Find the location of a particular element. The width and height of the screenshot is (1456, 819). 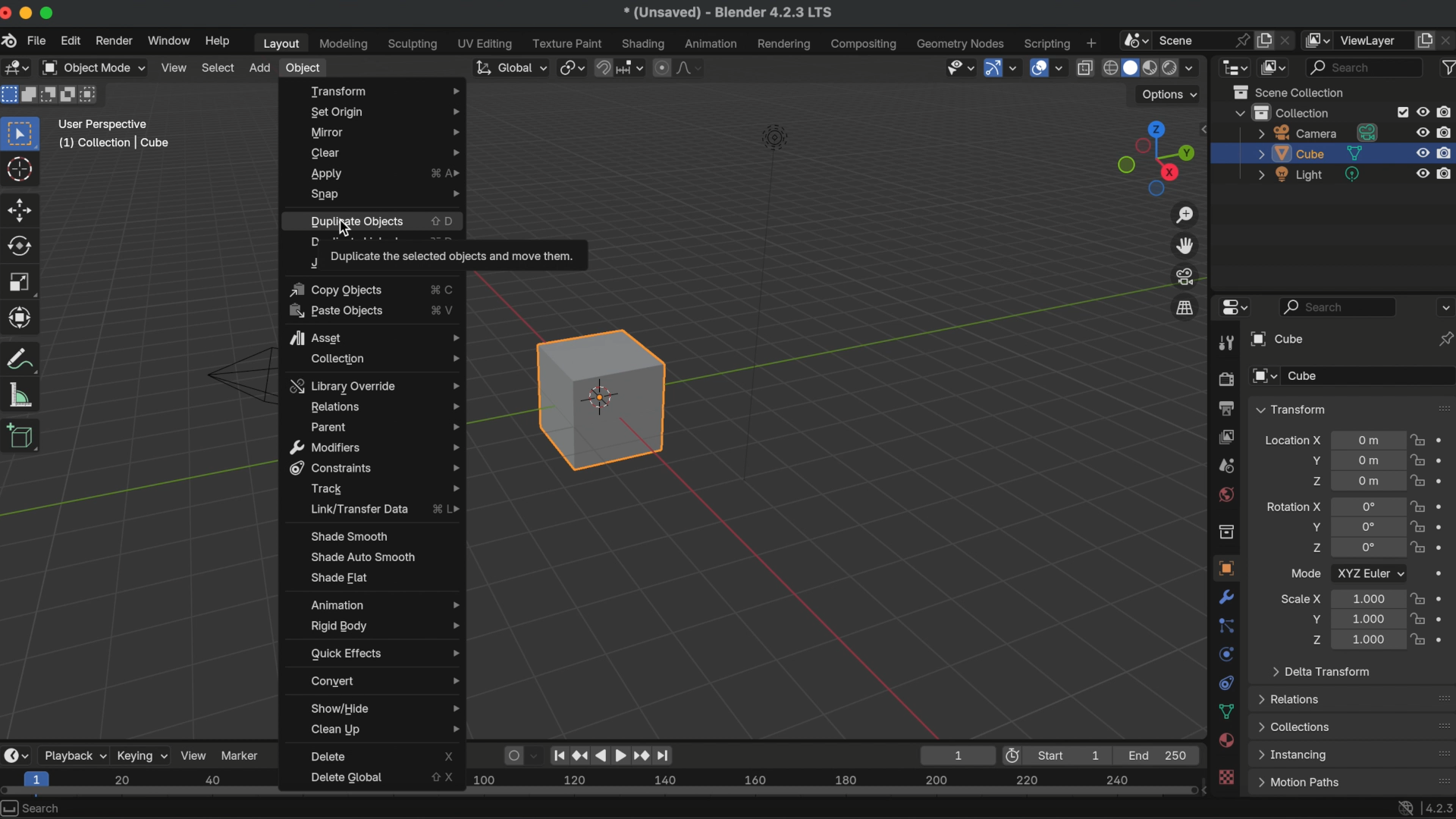

disable in render is located at coordinates (1445, 131).